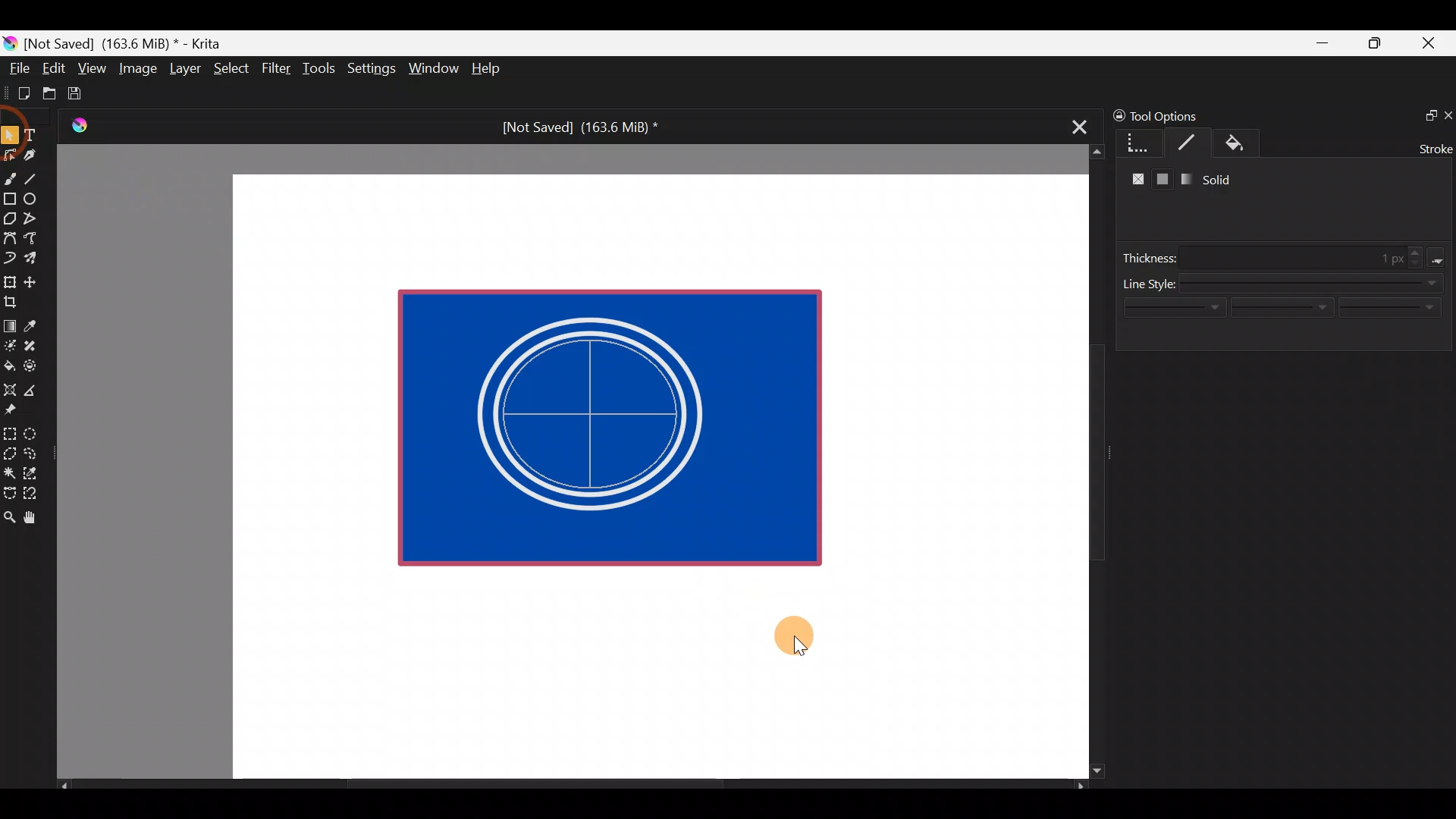 The width and height of the screenshot is (1456, 819). I want to click on Gradient fill, so click(1183, 179).